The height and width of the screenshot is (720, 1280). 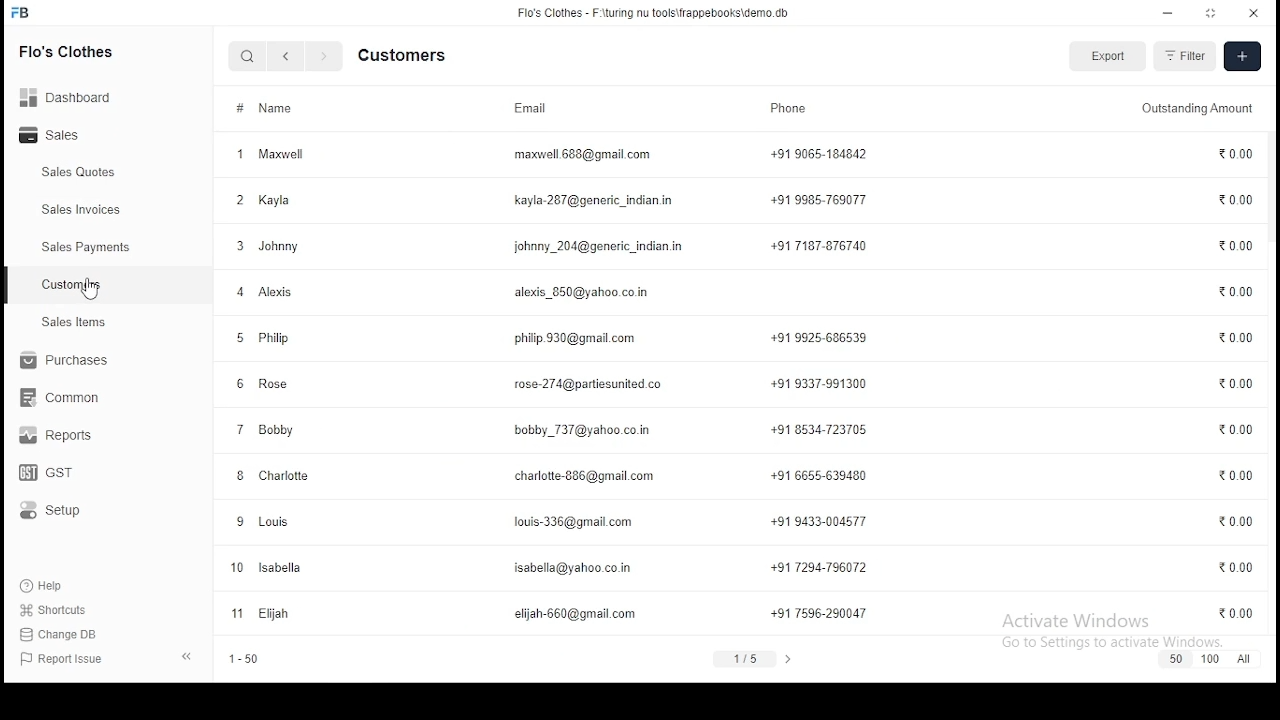 I want to click on 0.00, so click(x=1230, y=199).